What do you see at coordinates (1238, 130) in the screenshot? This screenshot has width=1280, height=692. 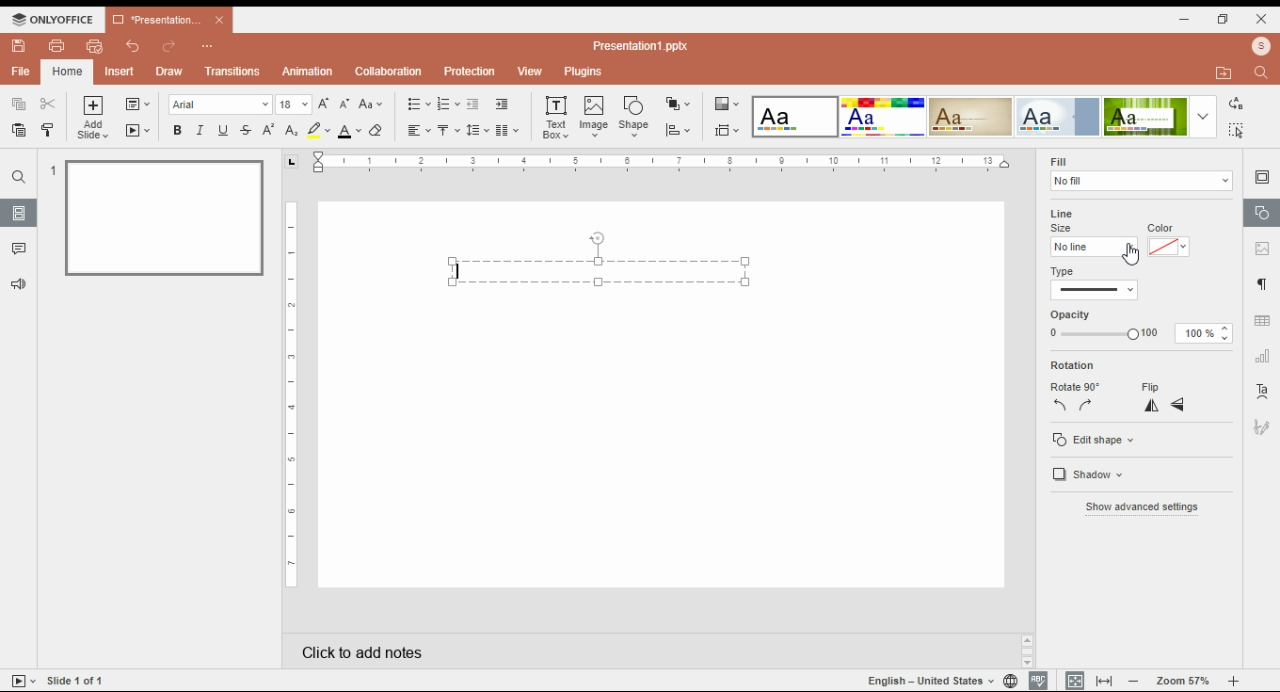 I see `find` at bounding box center [1238, 130].